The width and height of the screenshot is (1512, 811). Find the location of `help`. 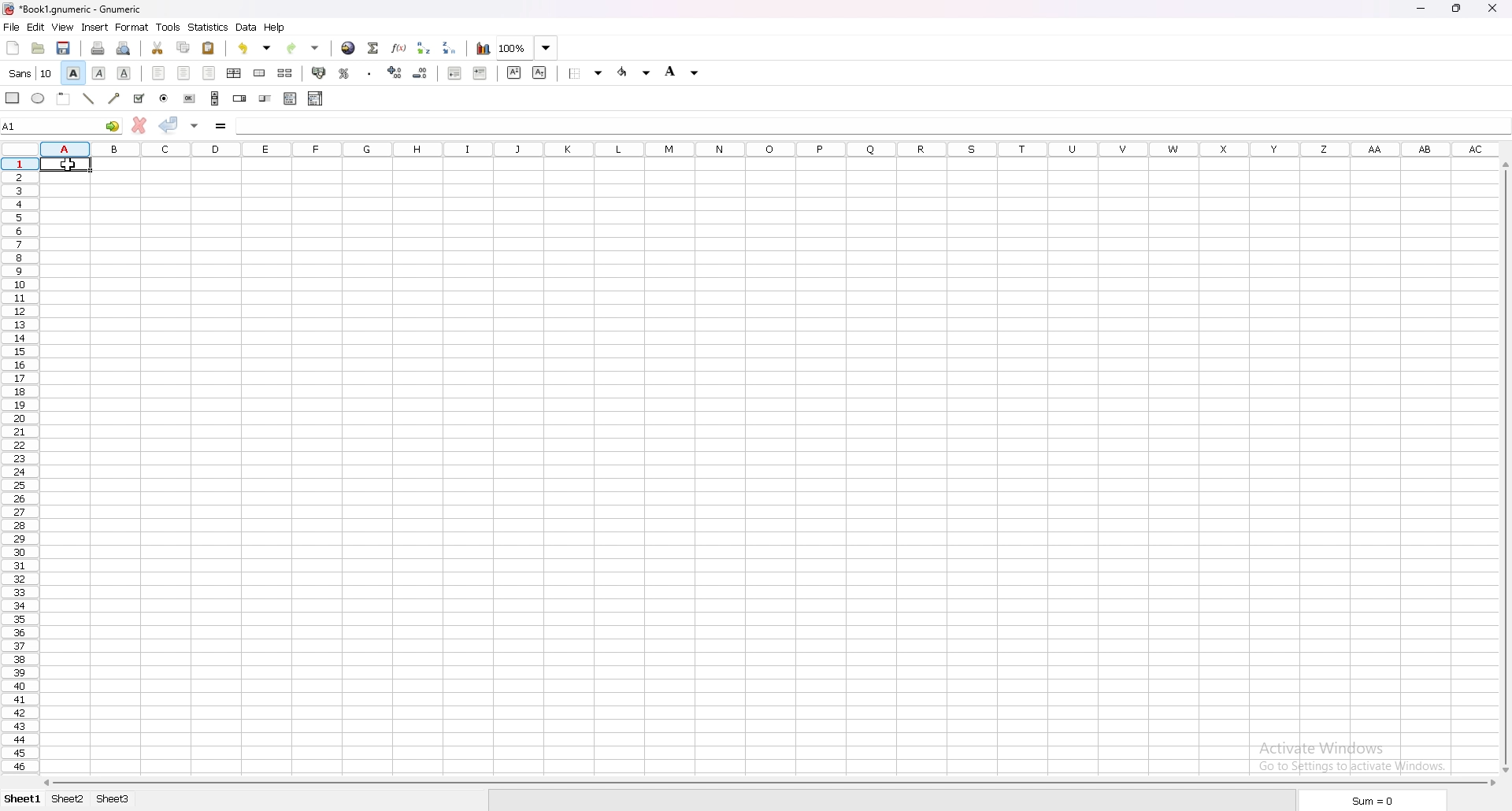

help is located at coordinates (276, 28).